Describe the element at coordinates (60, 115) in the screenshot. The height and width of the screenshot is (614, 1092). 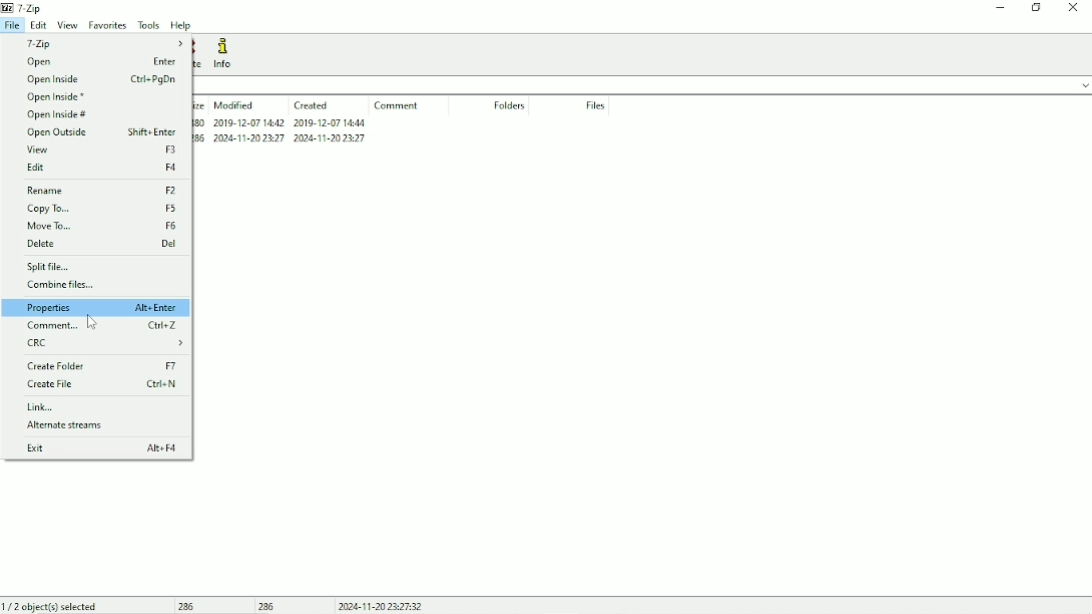
I see `Open Inside #` at that location.